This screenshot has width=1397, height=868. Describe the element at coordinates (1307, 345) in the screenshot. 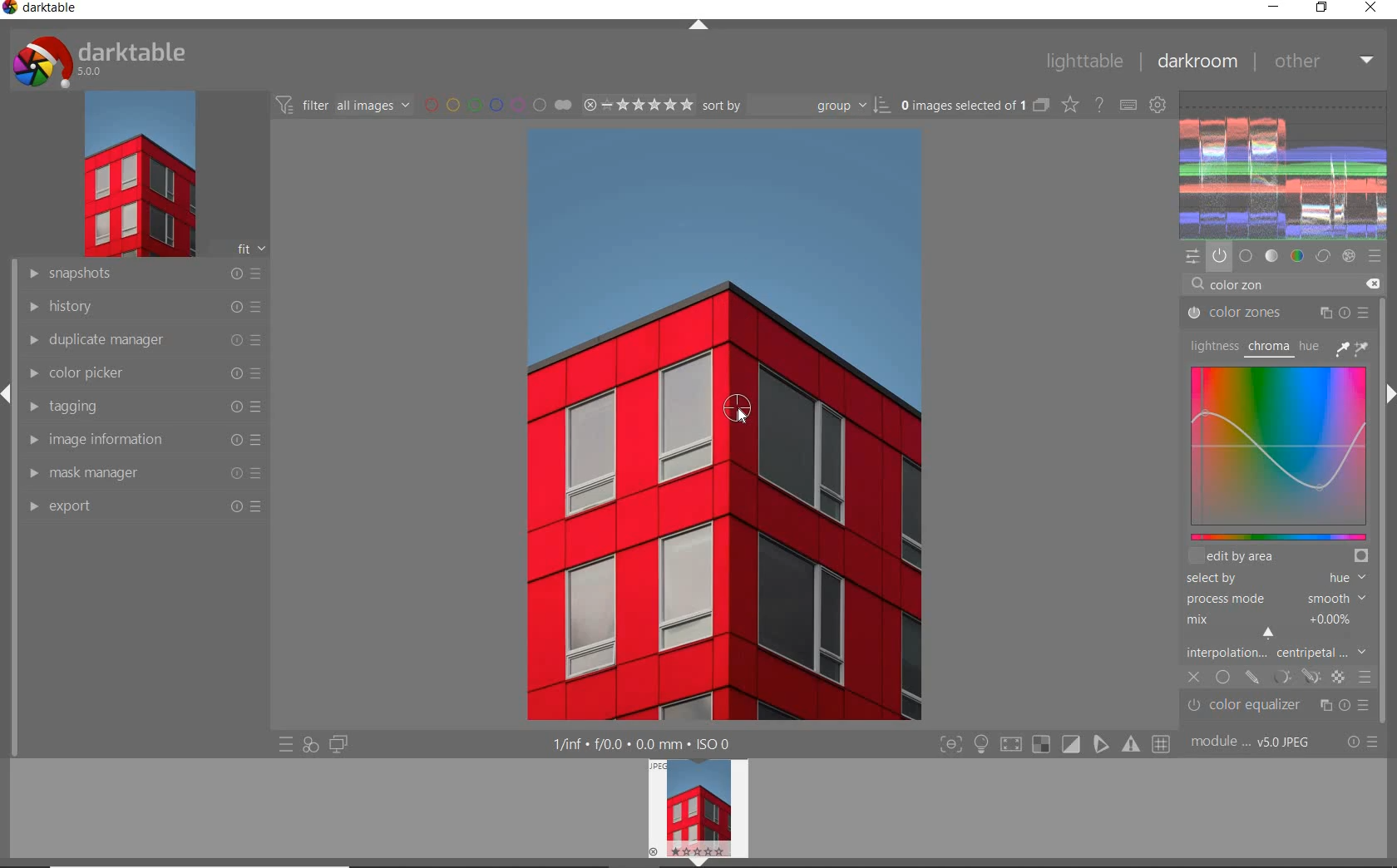

I see `HUE` at that location.